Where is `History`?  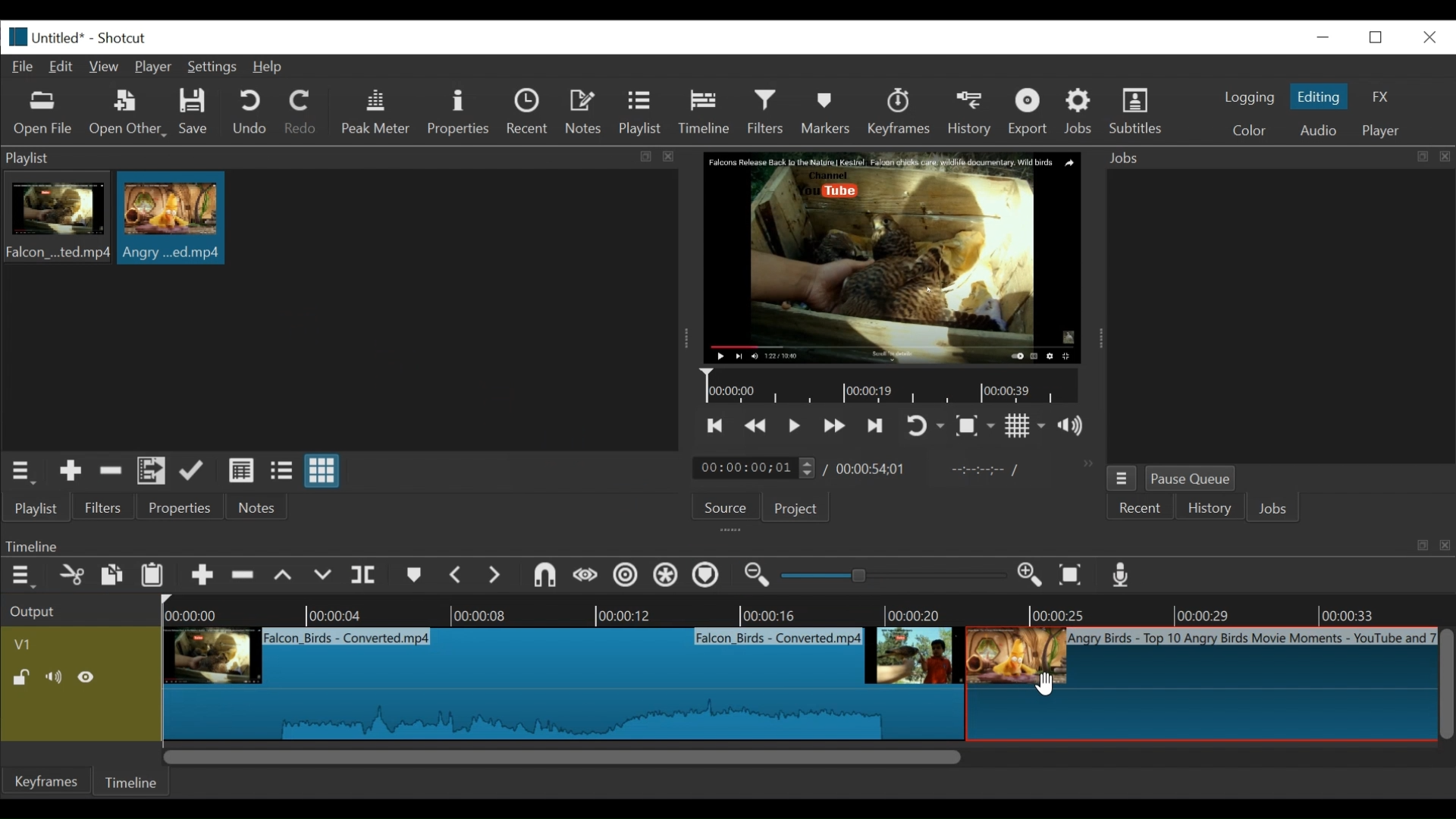
History is located at coordinates (1210, 510).